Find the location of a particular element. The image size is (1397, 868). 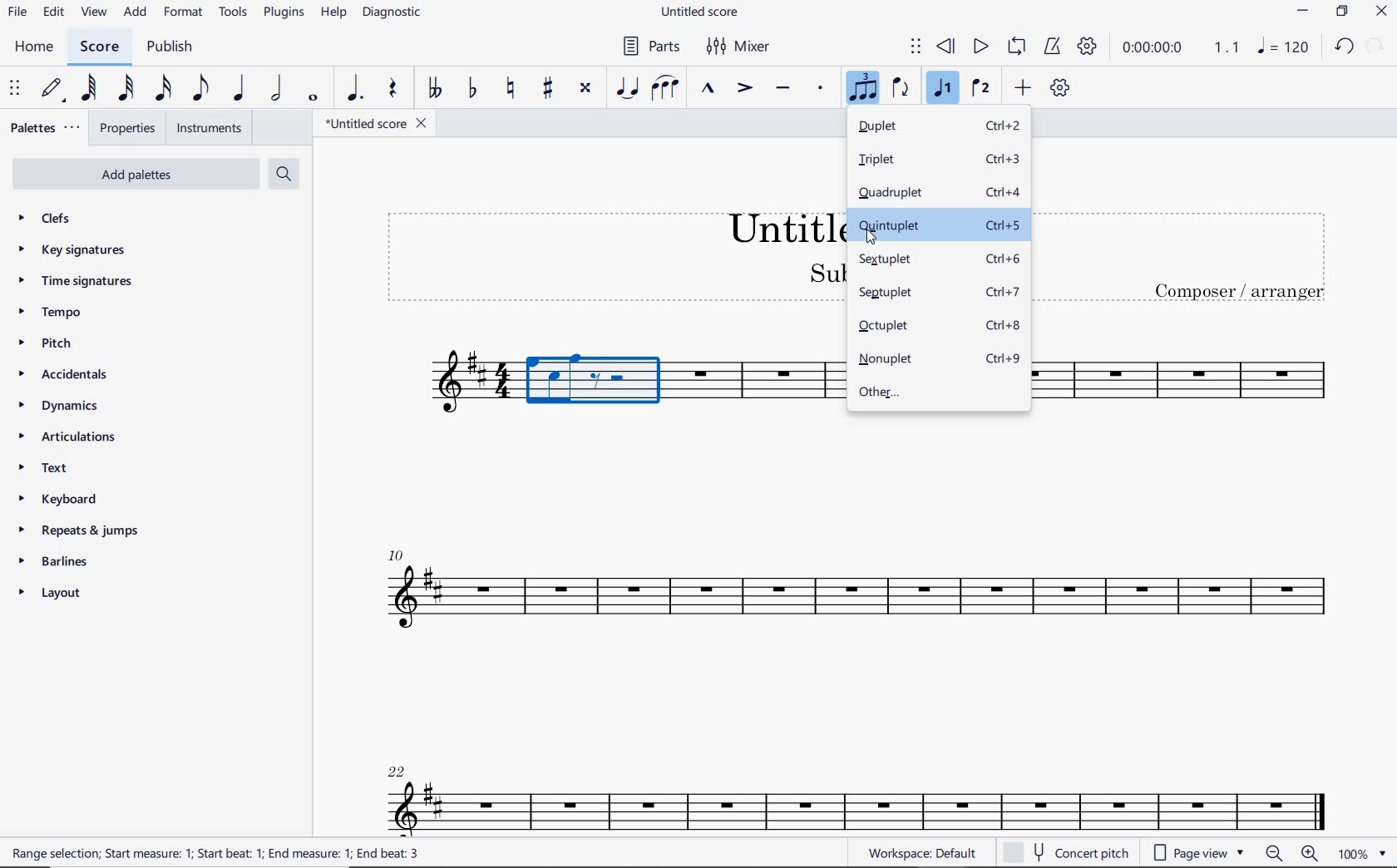

SLUR is located at coordinates (666, 89).